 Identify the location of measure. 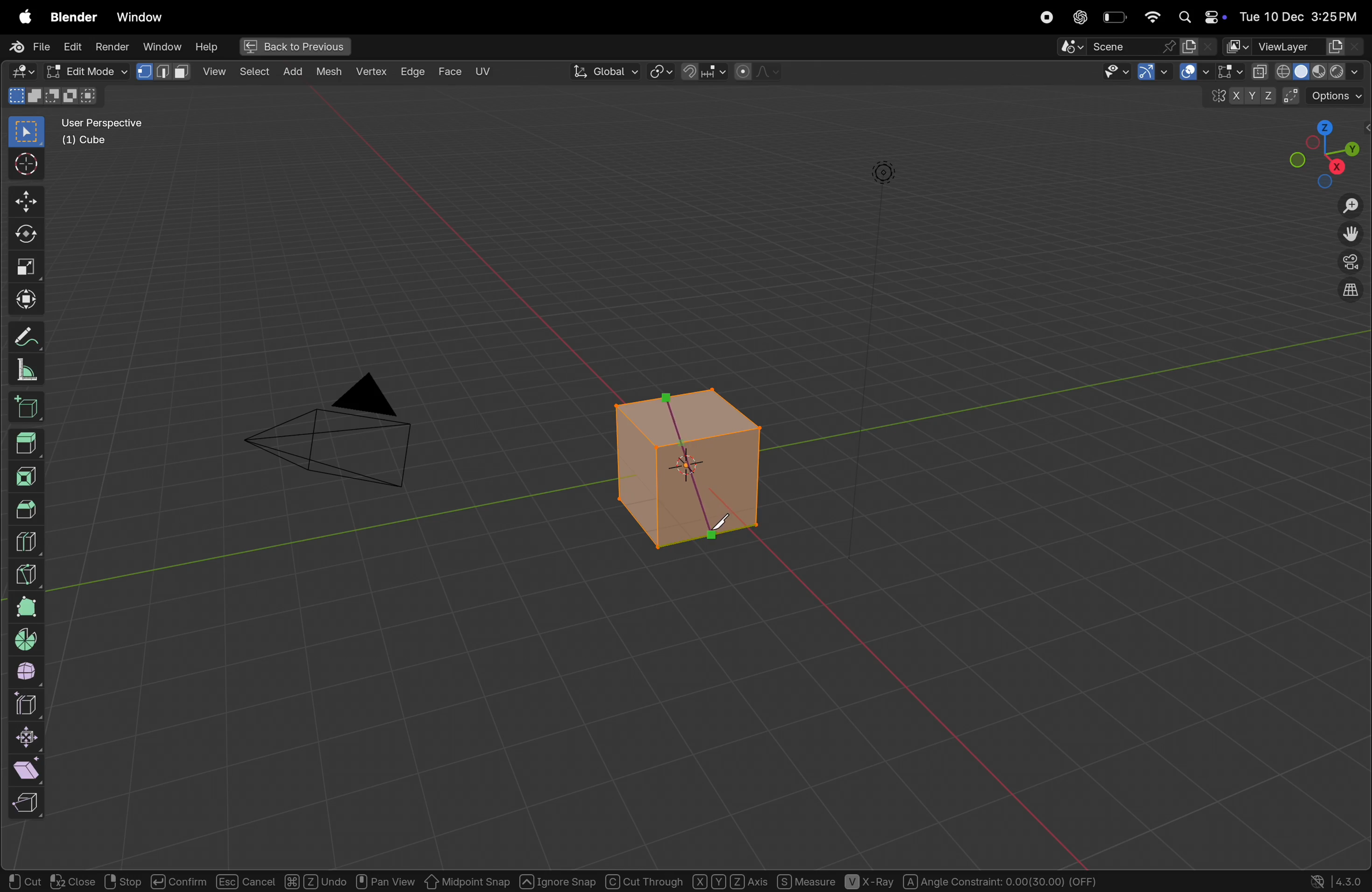
(27, 372).